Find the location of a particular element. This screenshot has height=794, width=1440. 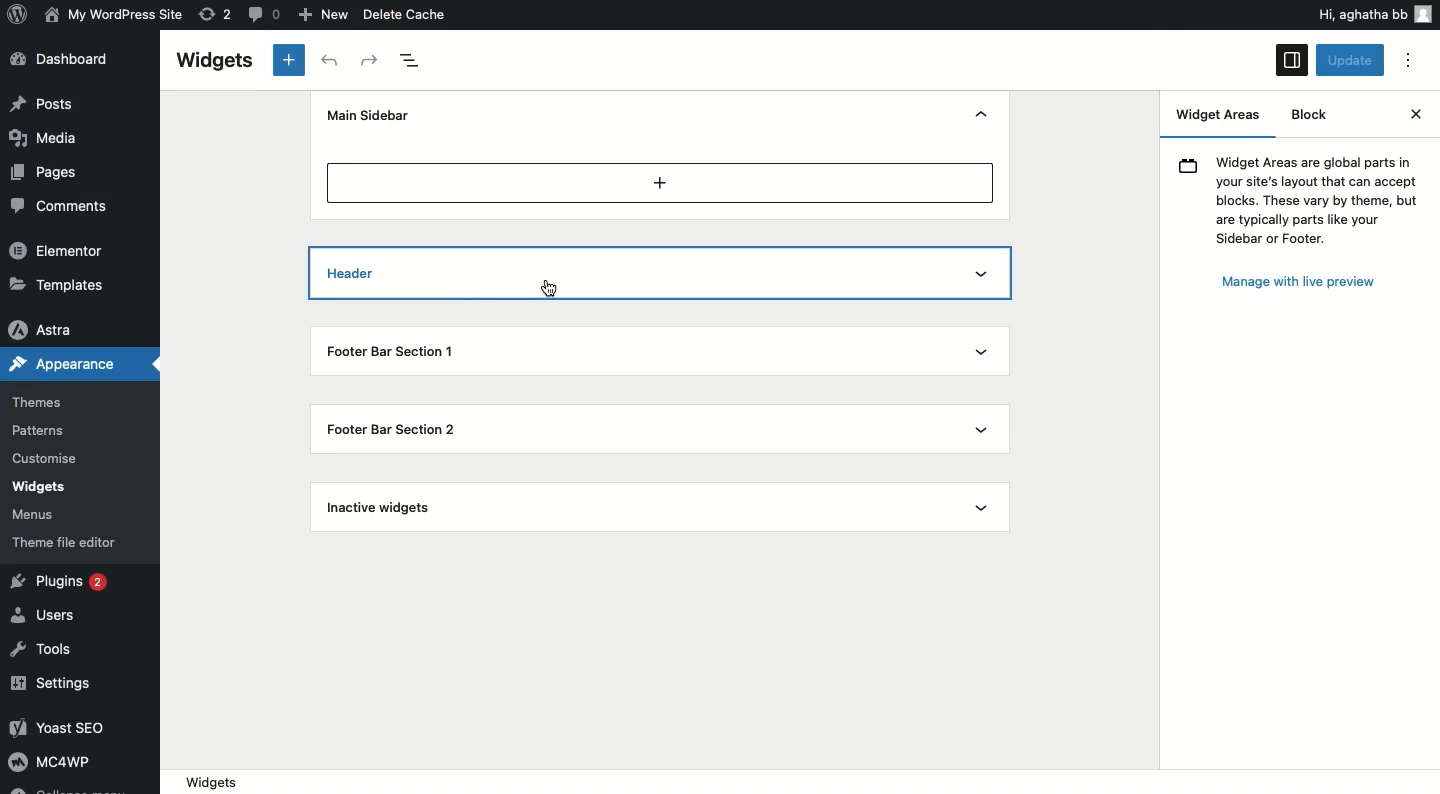

Block is located at coordinates (1308, 114).